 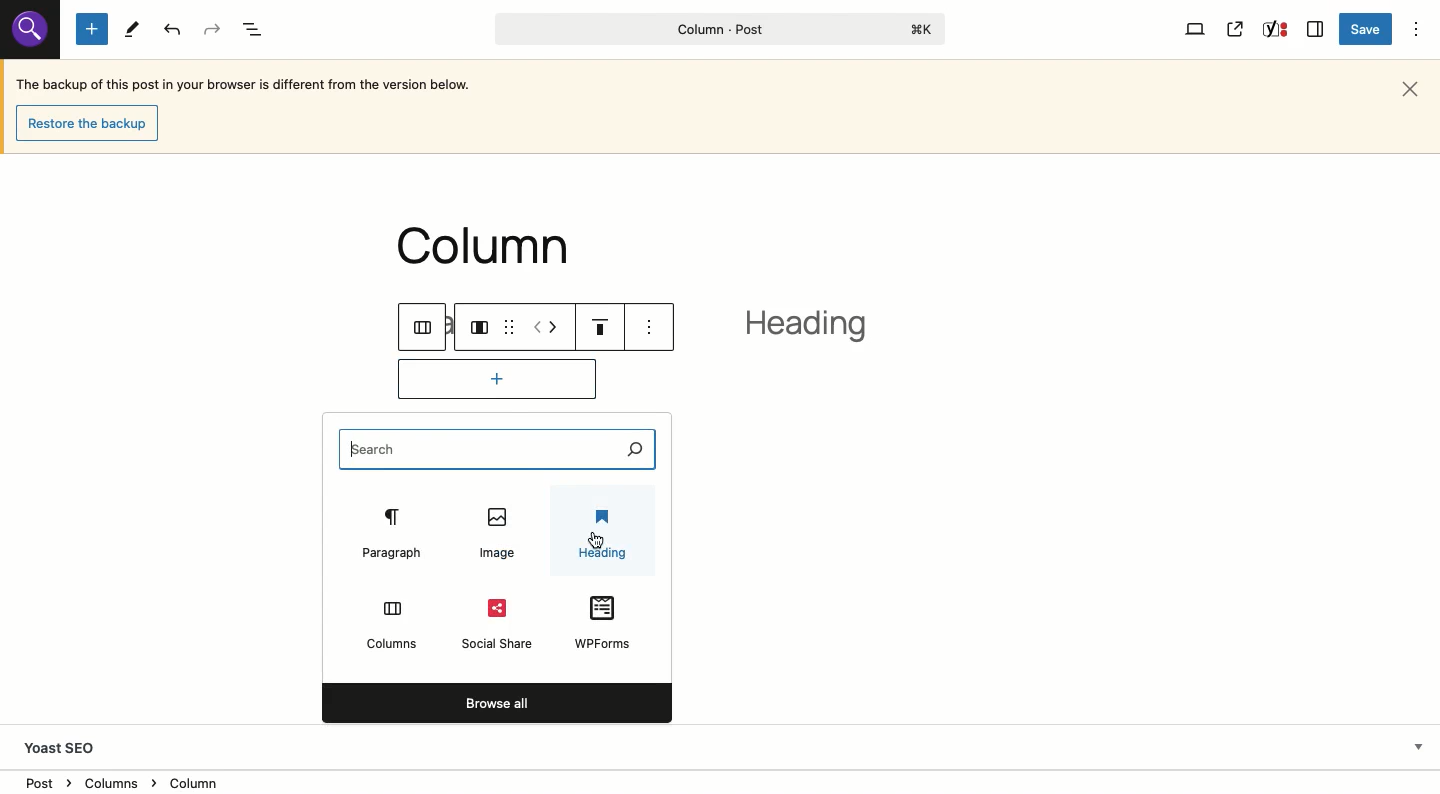 What do you see at coordinates (1236, 29) in the screenshot?
I see `View post` at bounding box center [1236, 29].